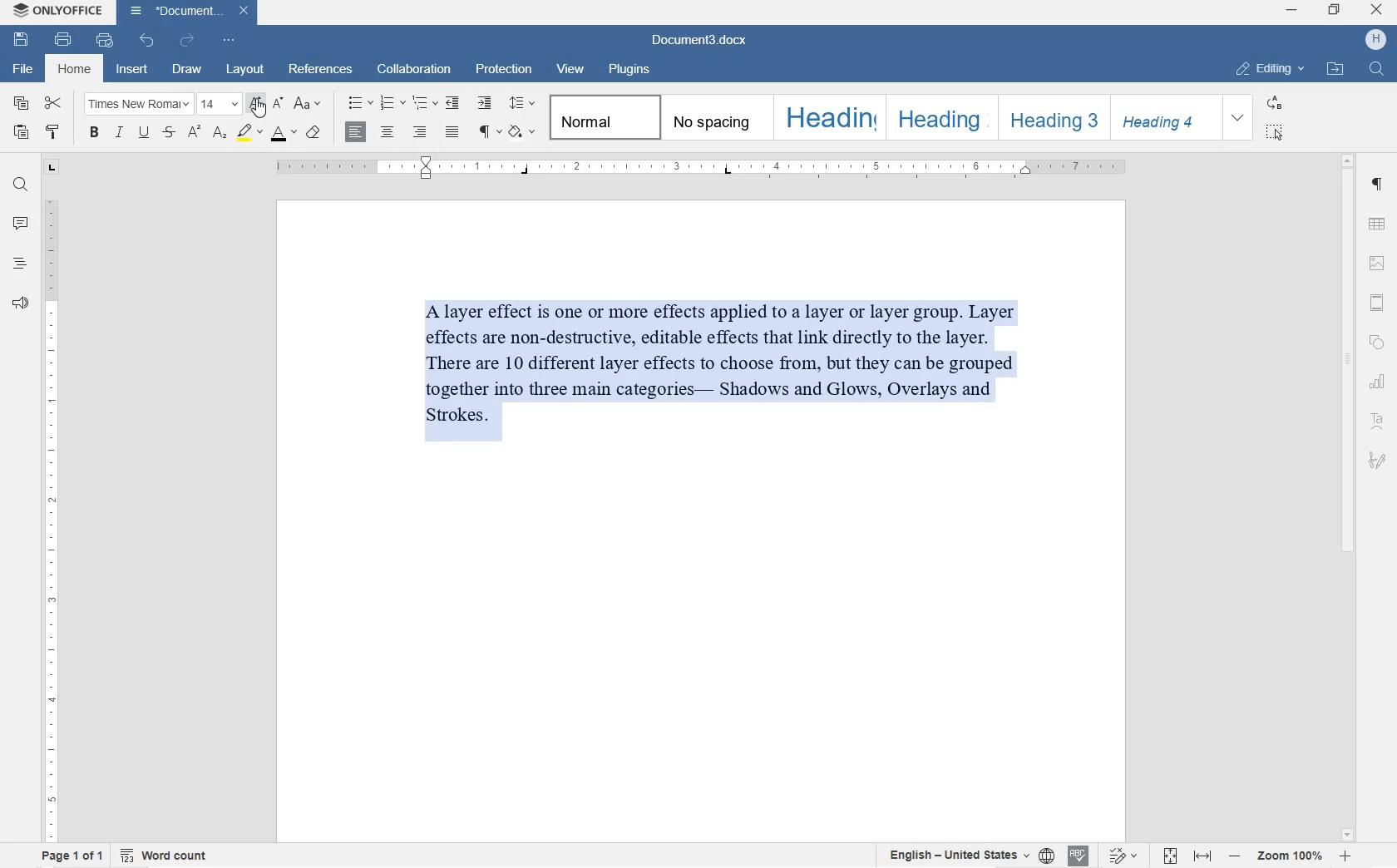 This screenshot has width=1397, height=868. Describe the element at coordinates (309, 104) in the screenshot. I see `change case` at that location.